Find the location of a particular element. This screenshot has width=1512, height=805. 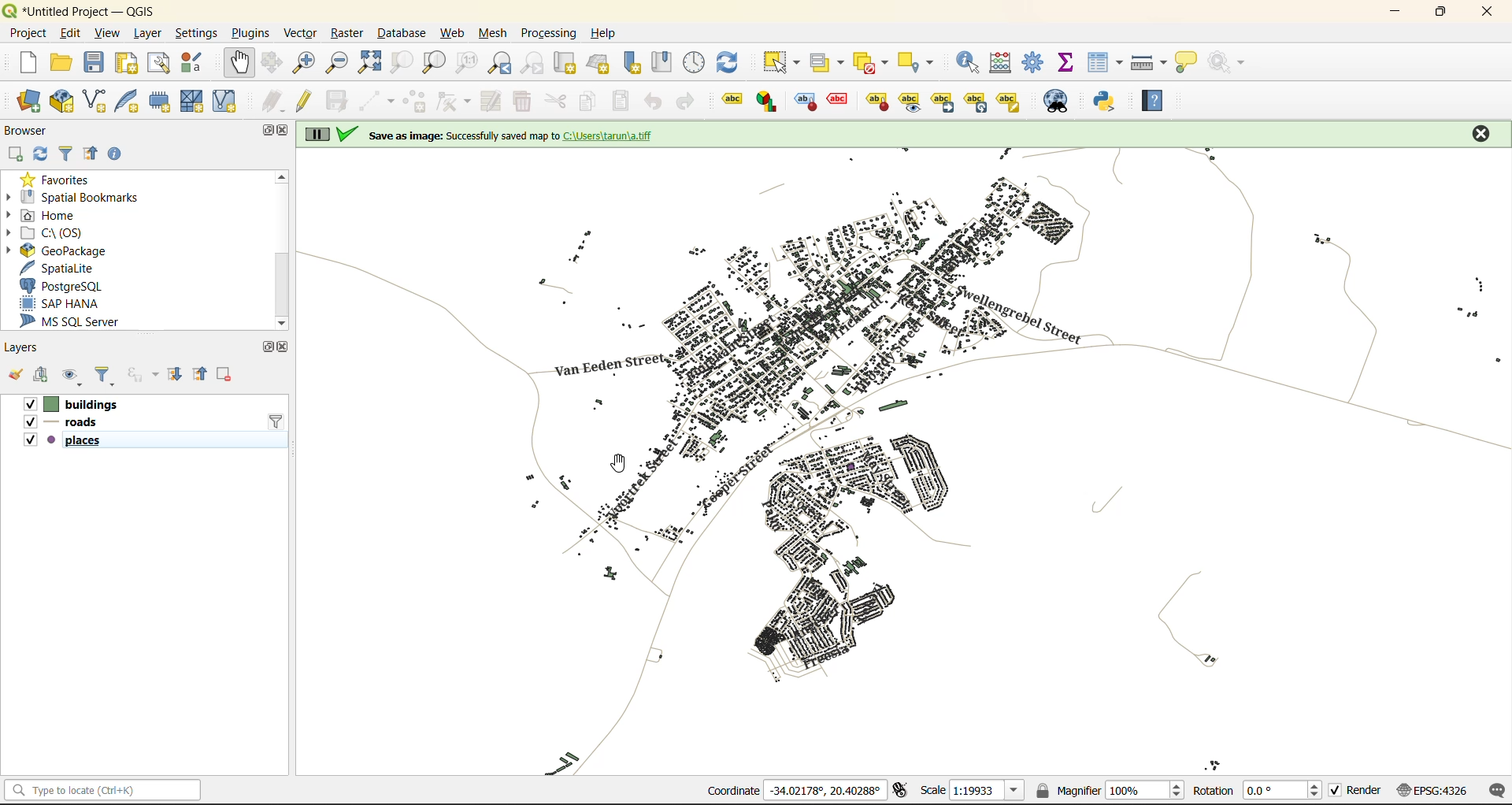

refresh is located at coordinates (42, 158).